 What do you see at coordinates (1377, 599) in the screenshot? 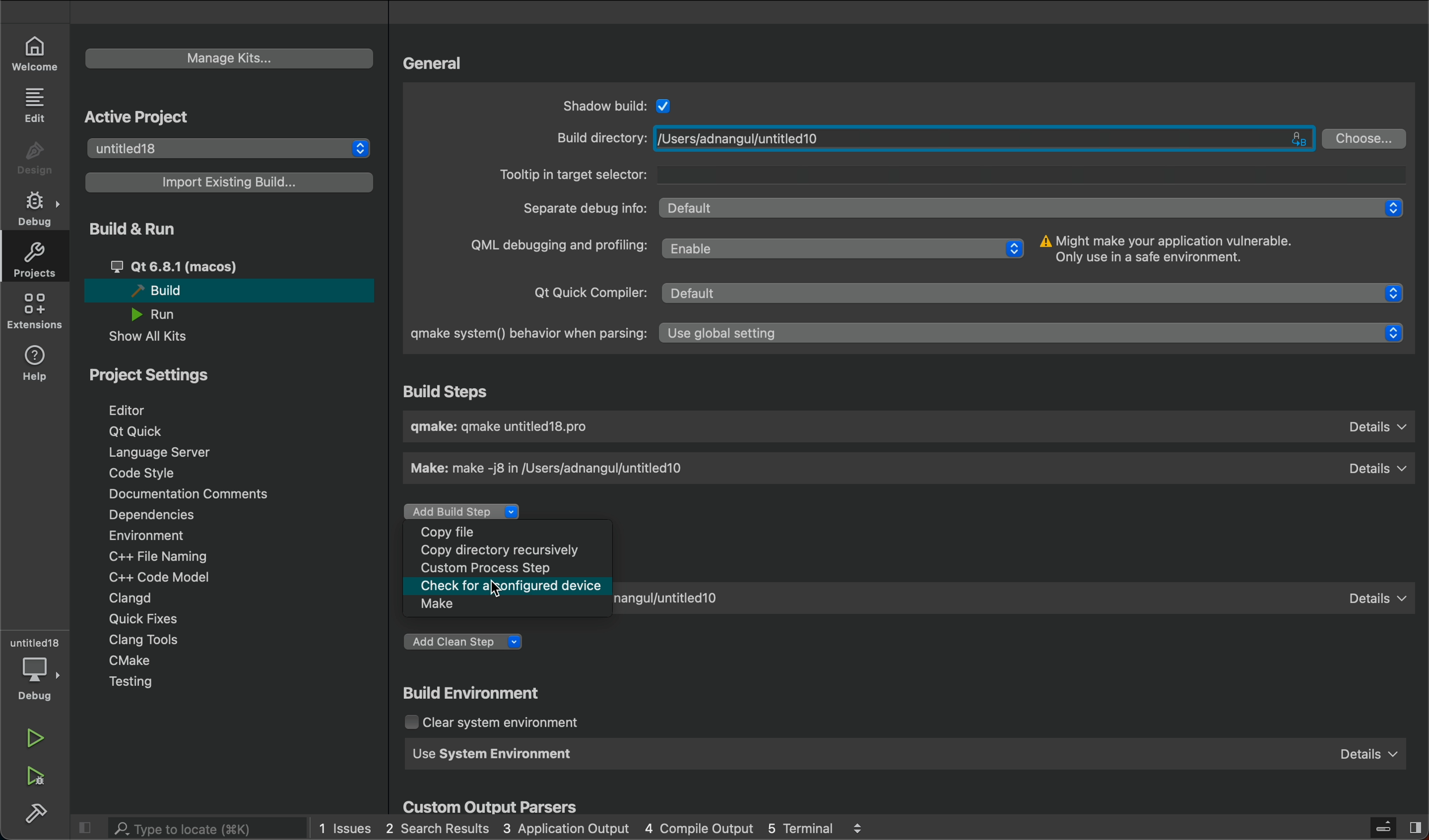
I see `Details` at bounding box center [1377, 599].